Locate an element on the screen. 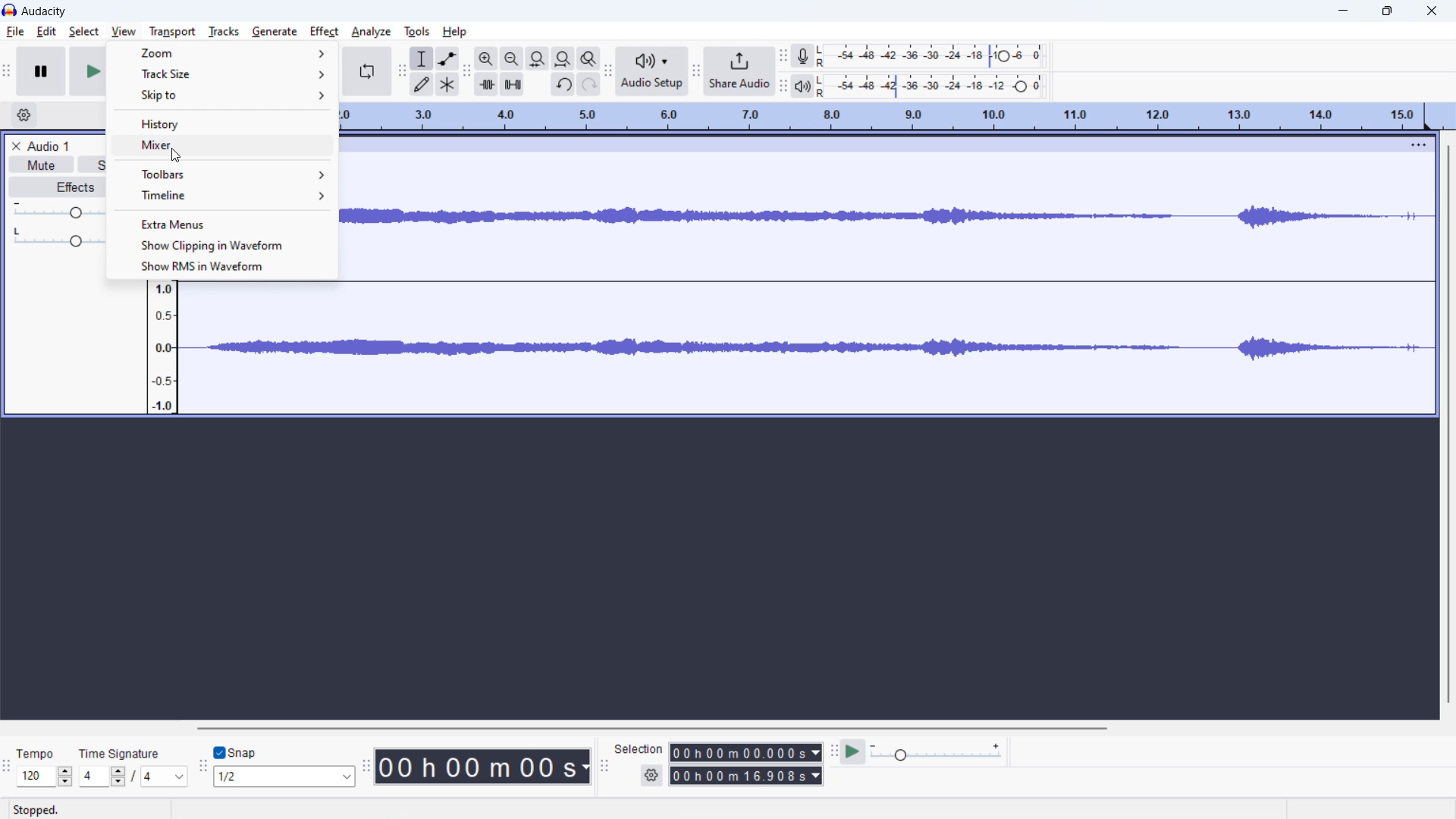 The image size is (1456, 819). tools toolbar is located at coordinates (402, 71).